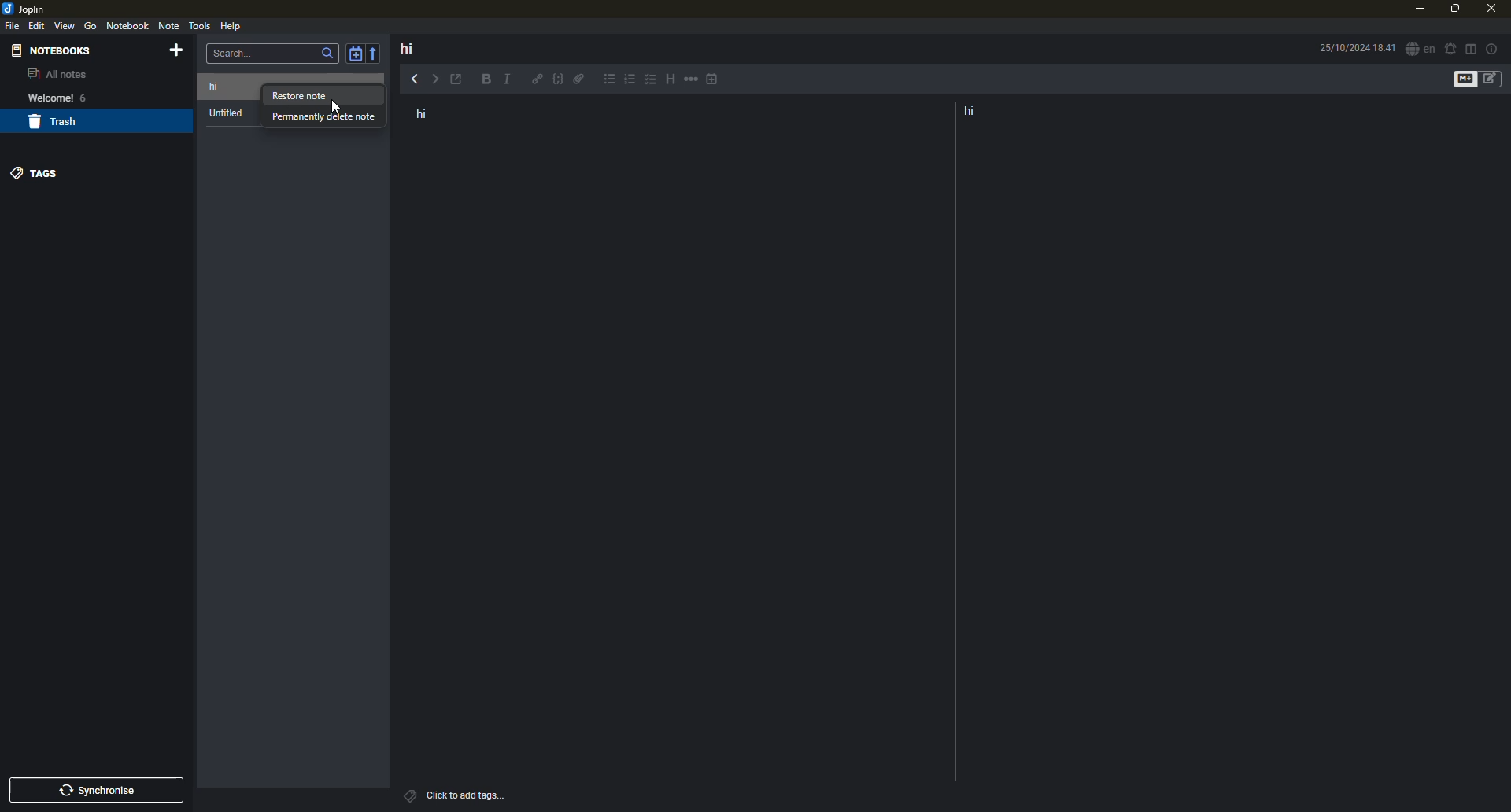 The height and width of the screenshot is (812, 1511). What do you see at coordinates (428, 115) in the screenshot?
I see `hi` at bounding box center [428, 115].